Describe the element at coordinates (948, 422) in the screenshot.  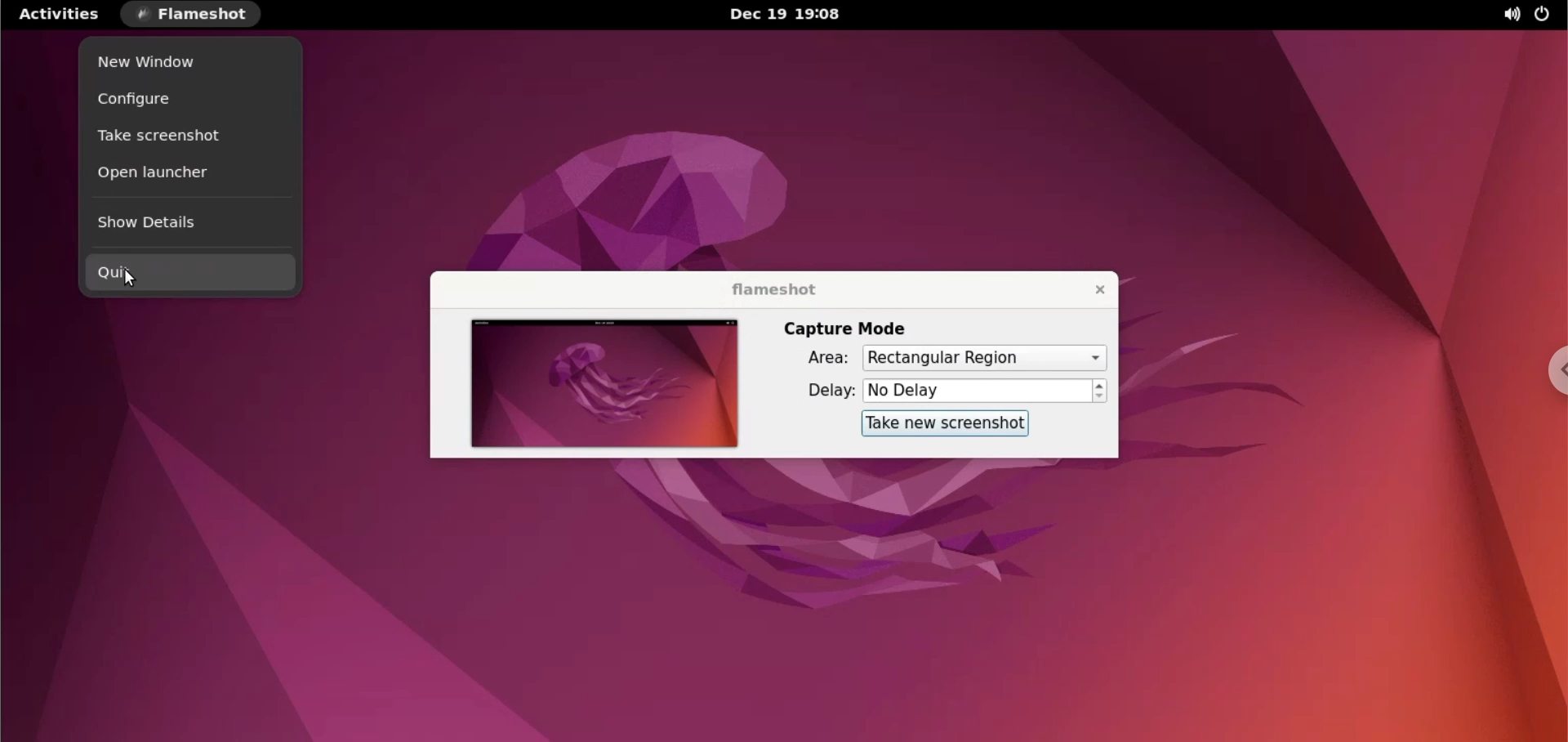
I see `take new screenshot` at that location.